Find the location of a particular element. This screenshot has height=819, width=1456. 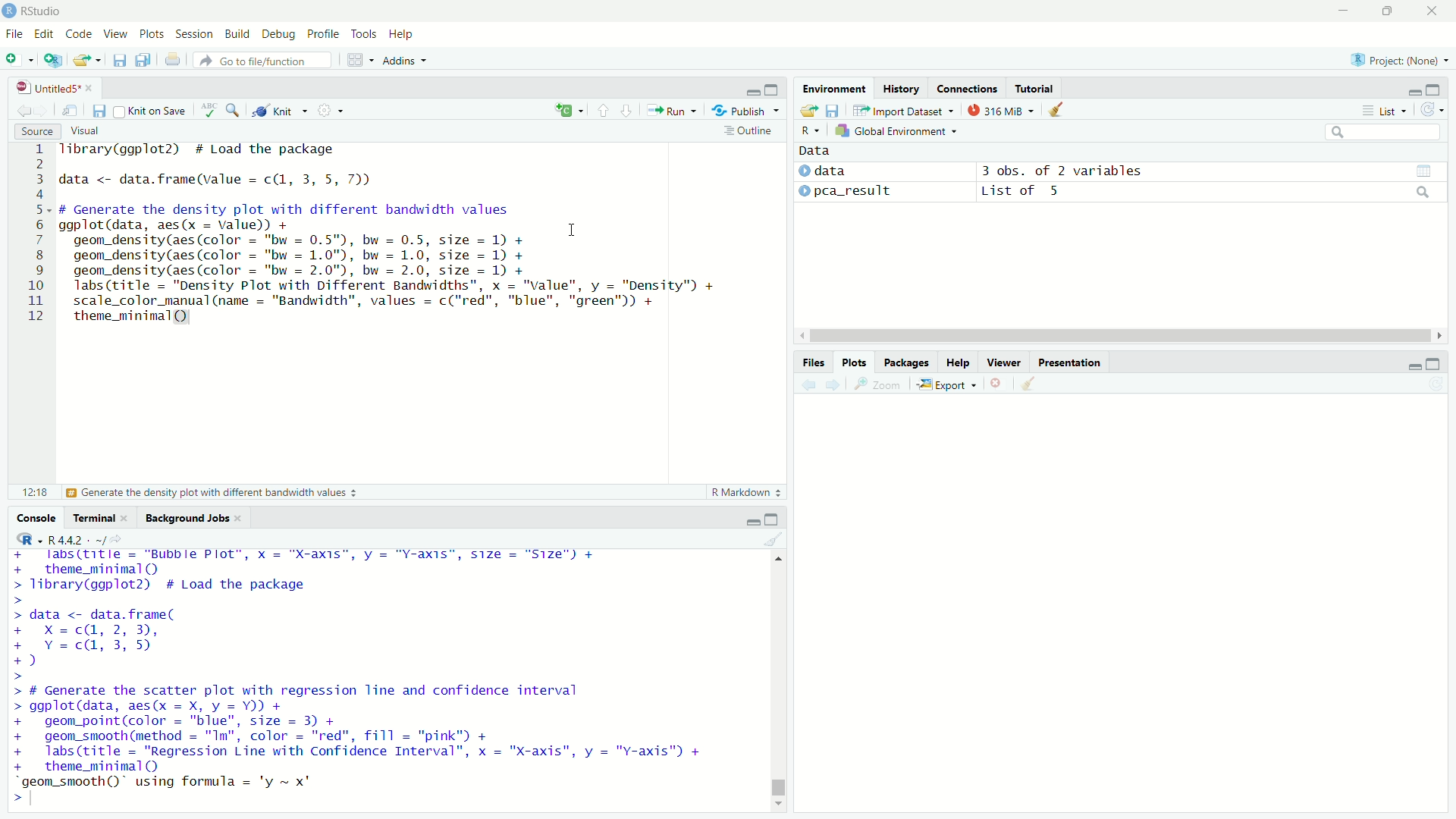

Debug is located at coordinates (278, 34).